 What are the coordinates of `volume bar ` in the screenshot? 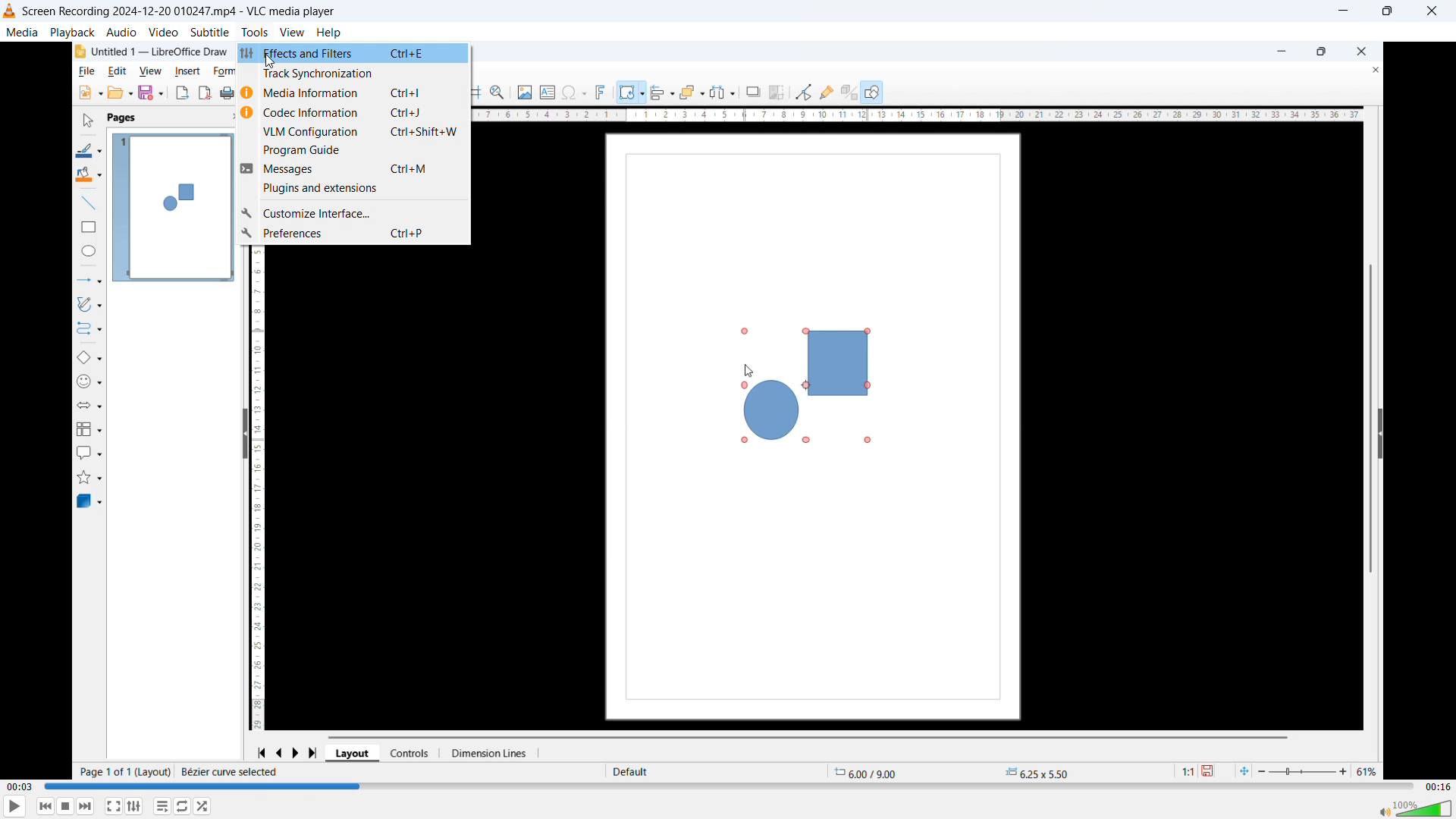 It's located at (1416, 808).